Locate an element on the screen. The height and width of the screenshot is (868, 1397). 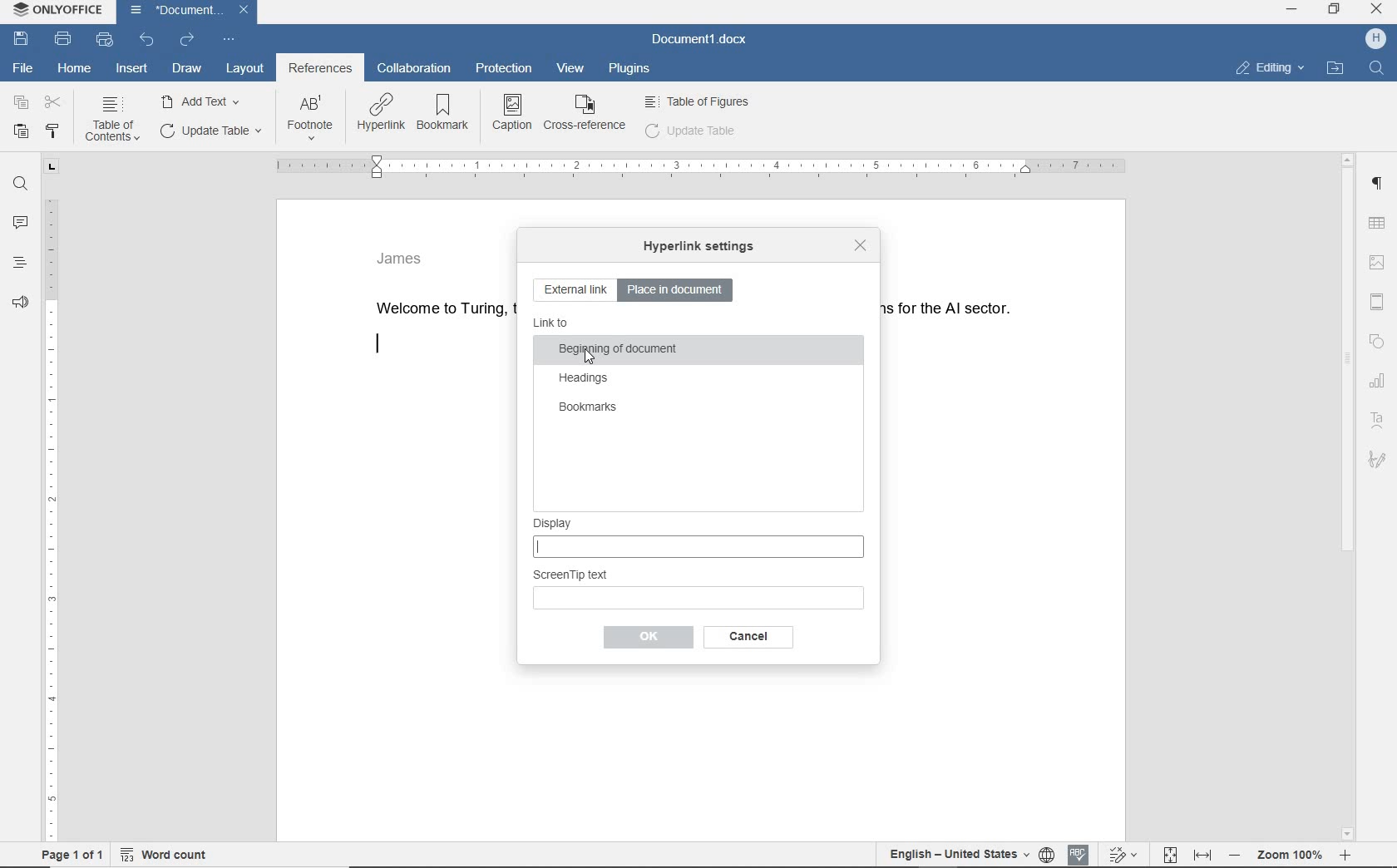
UPDATE TASK is located at coordinates (209, 131).